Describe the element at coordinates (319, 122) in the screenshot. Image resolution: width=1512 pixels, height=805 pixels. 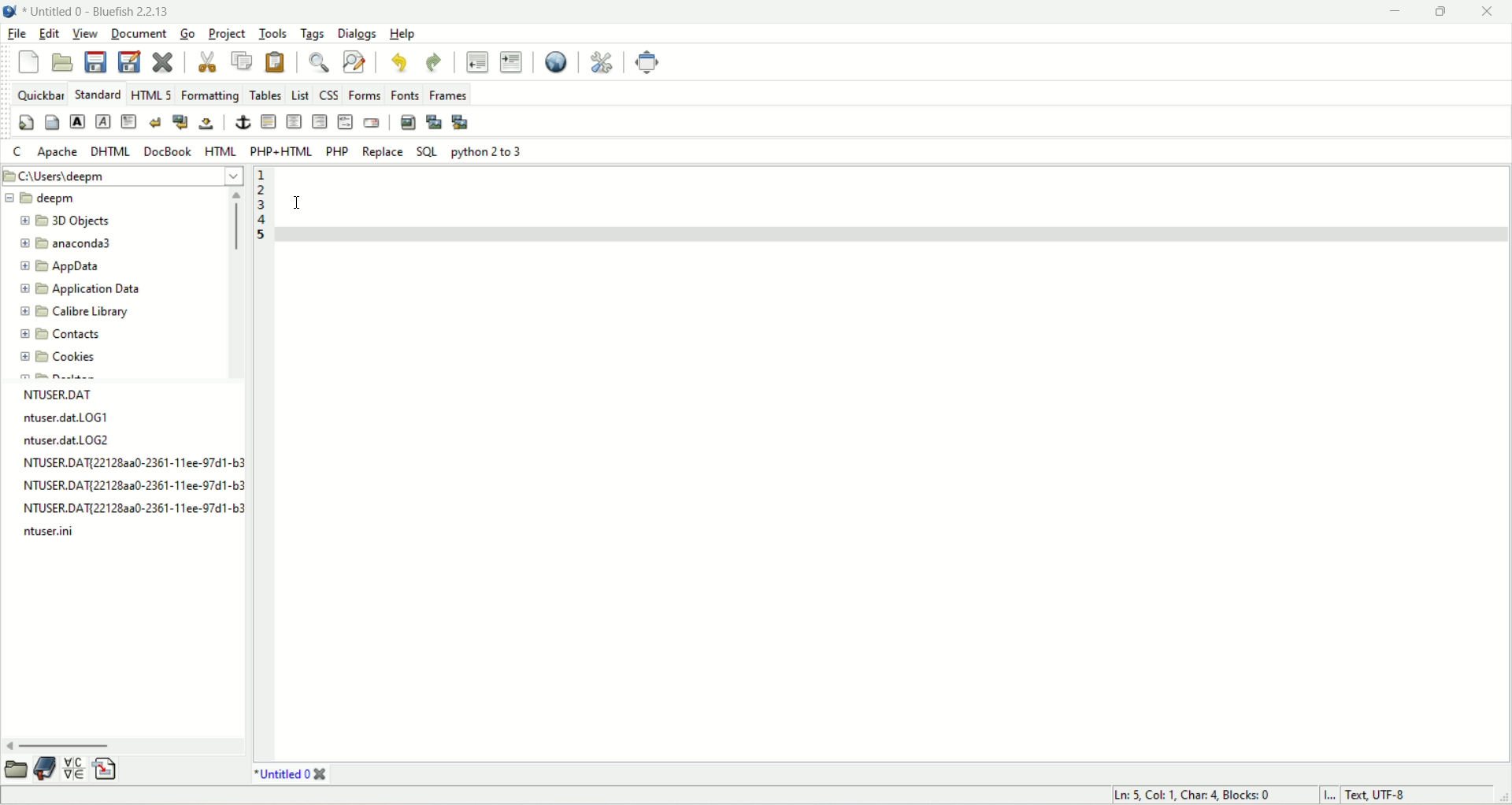
I see `right justify` at that location.